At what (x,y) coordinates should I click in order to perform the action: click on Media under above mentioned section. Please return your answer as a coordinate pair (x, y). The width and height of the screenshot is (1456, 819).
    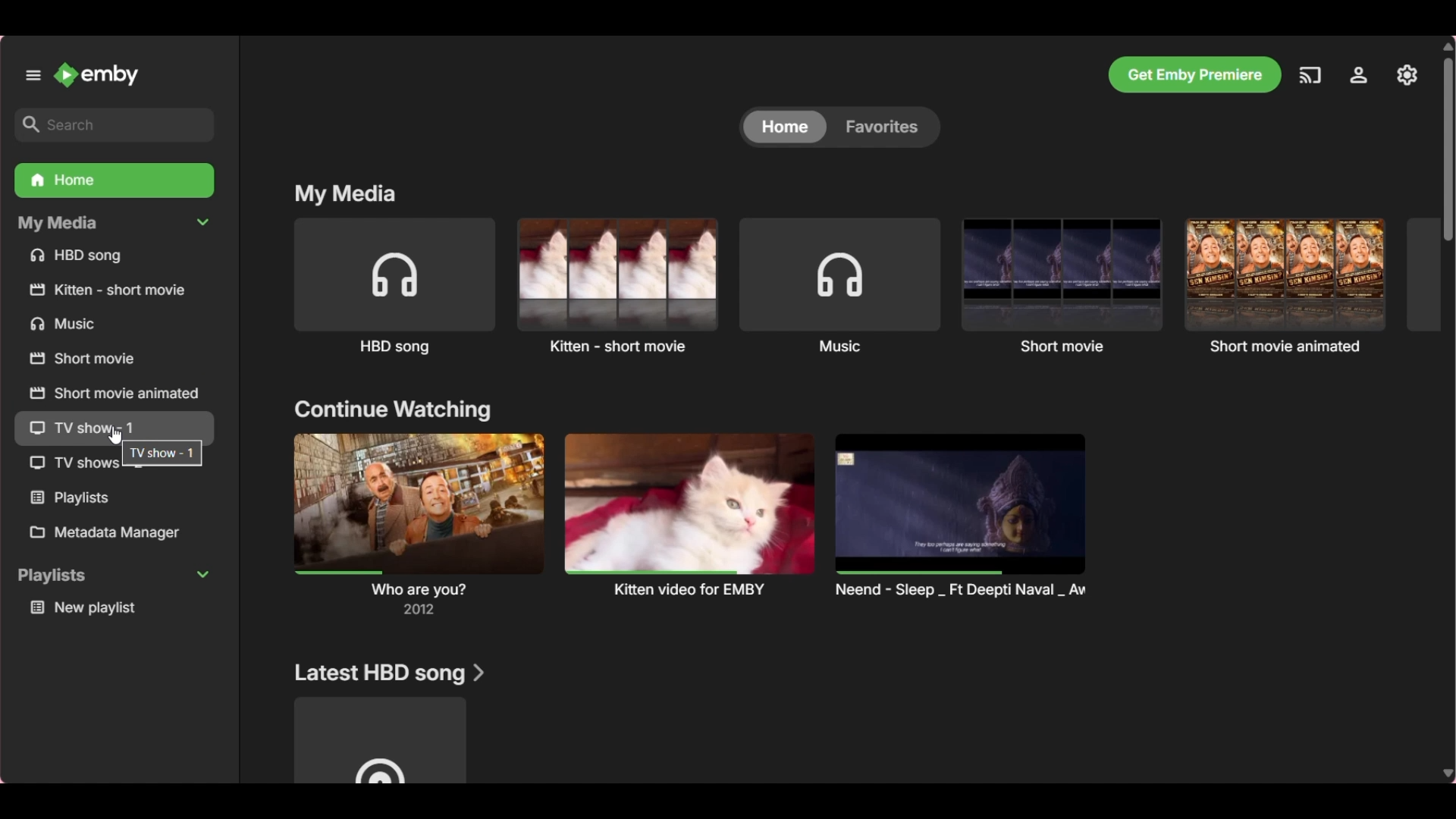
    Looking at the image, I should click on (380, 739).